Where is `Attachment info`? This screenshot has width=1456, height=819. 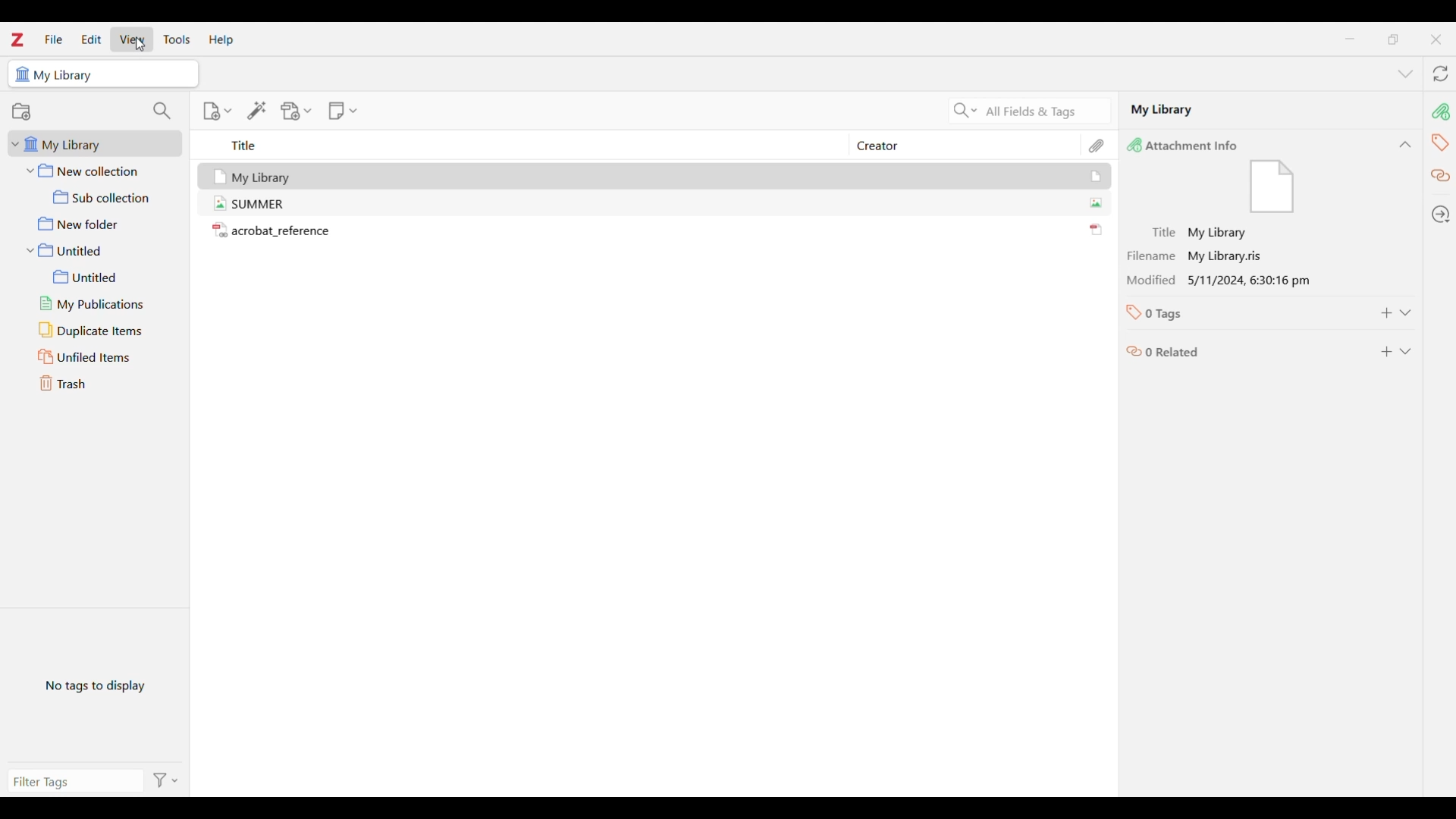
Attachment info is located at coordinates (1192, 146).